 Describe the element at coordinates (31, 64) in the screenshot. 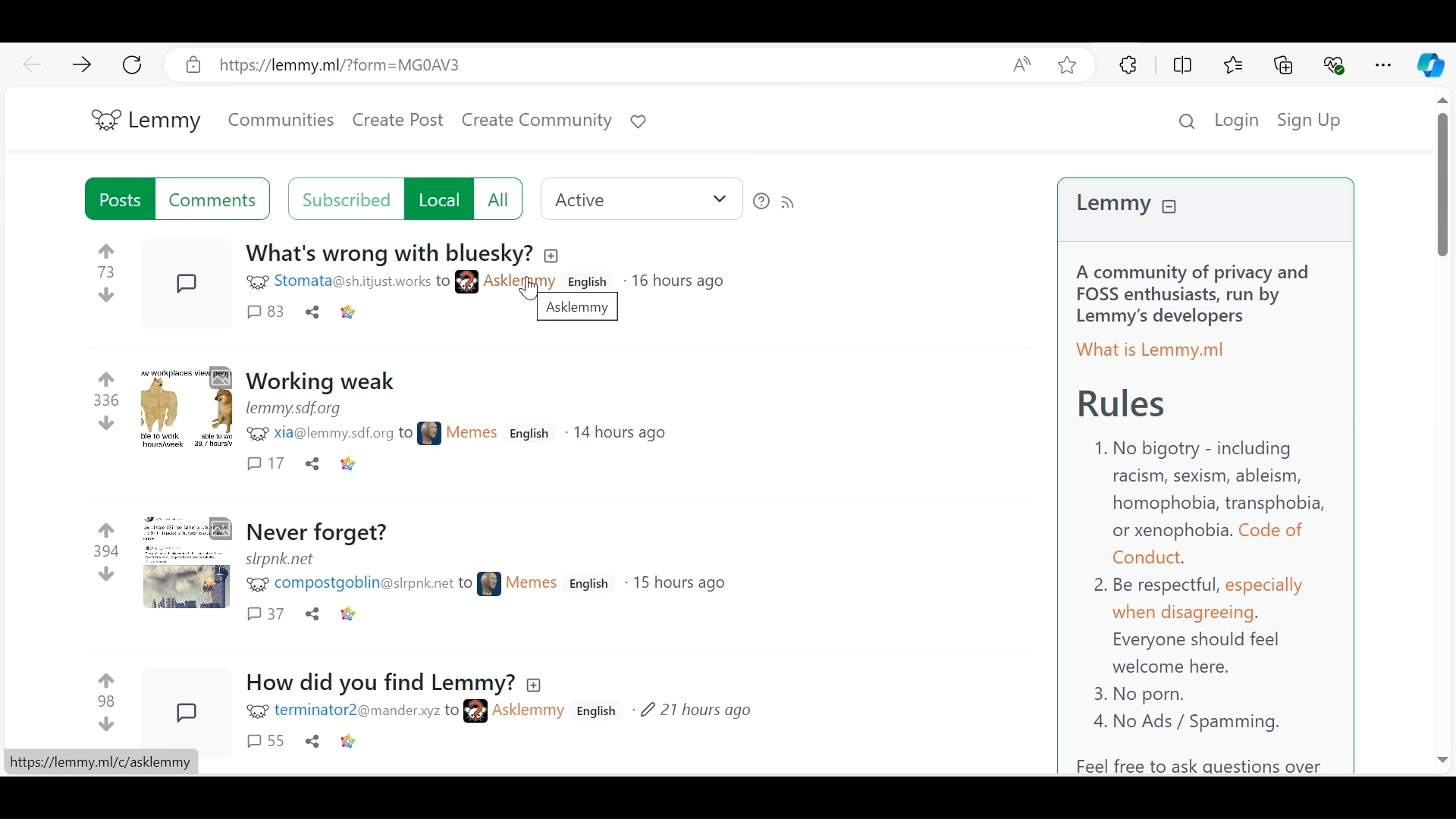

I see `Go back` at that location.